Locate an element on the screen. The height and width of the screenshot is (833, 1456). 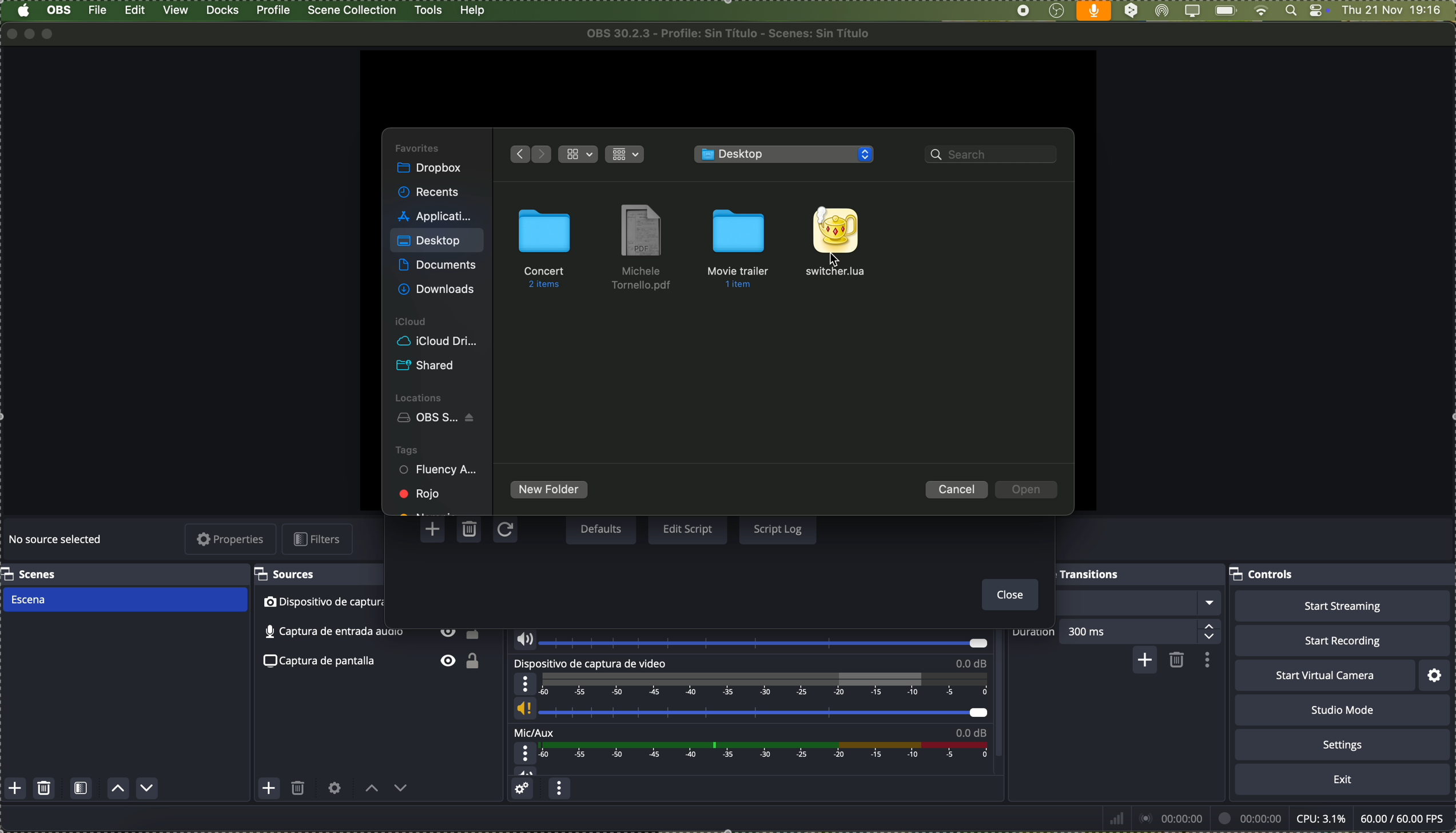
cancel button is located at coordinates (957, 489).